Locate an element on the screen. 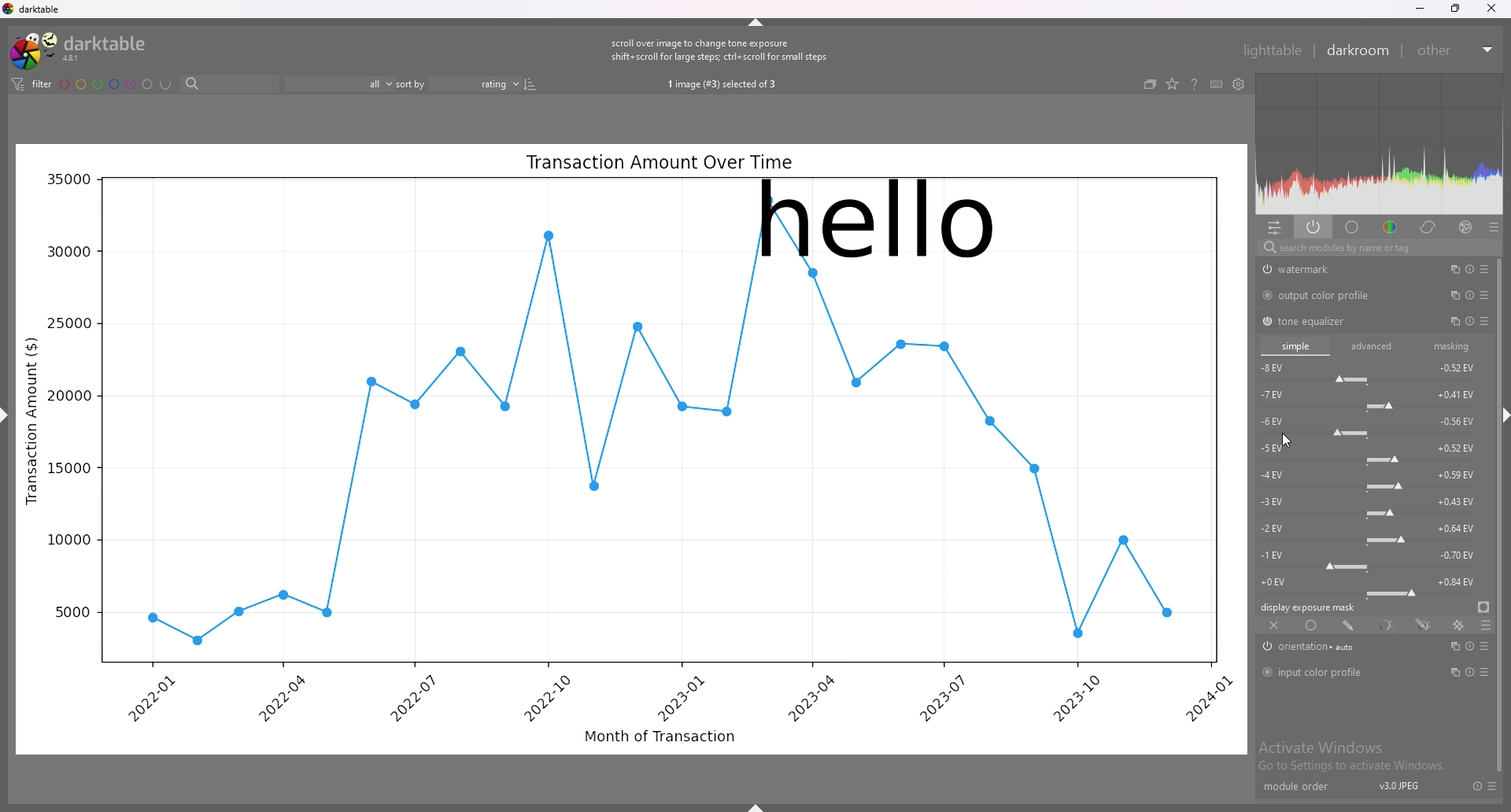  darkroom is located at coordinates (1359, 51).